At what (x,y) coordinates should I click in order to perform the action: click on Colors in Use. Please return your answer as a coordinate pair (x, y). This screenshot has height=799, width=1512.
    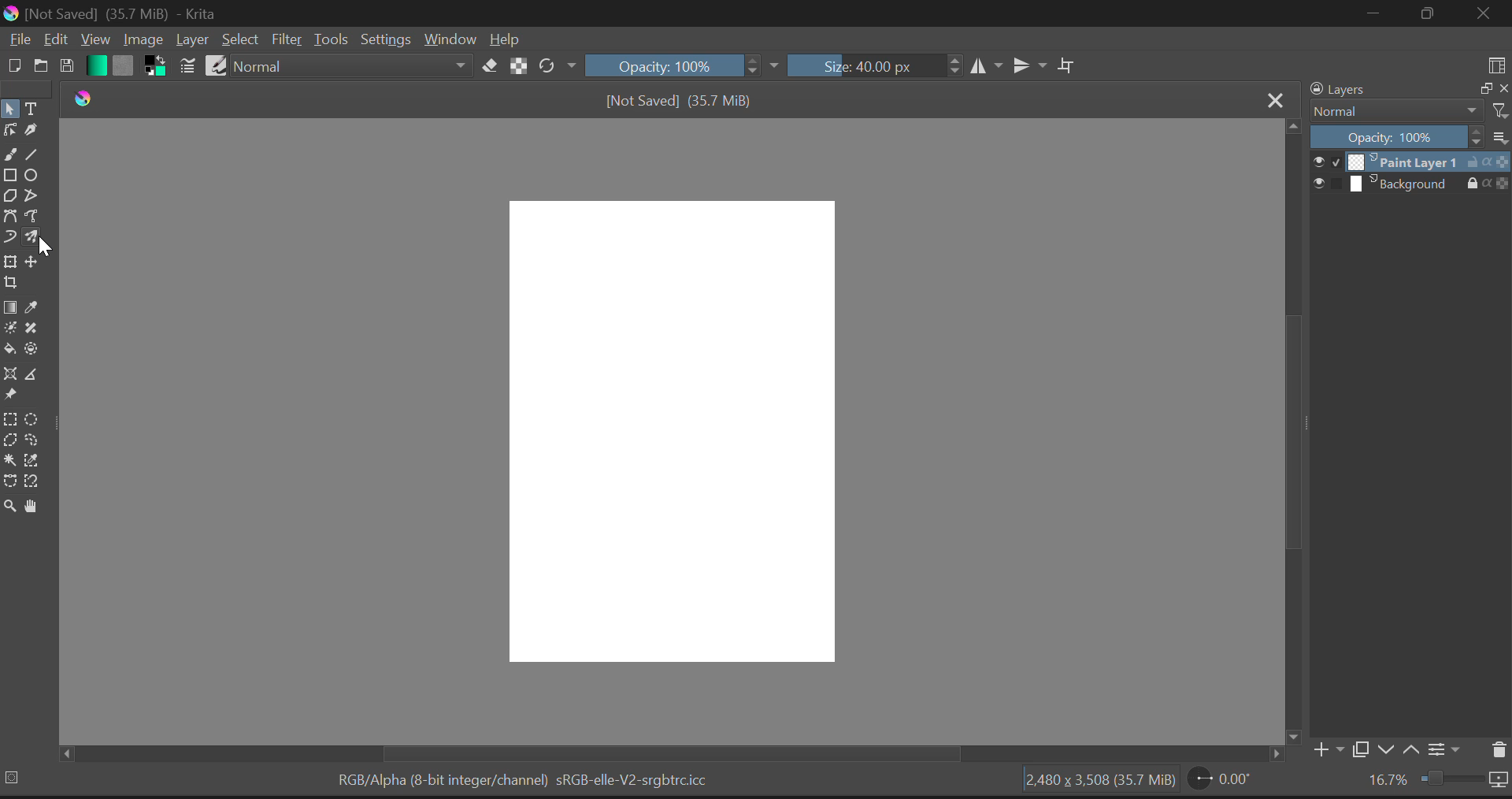
    Looking at the image, I should click on (154, 65).